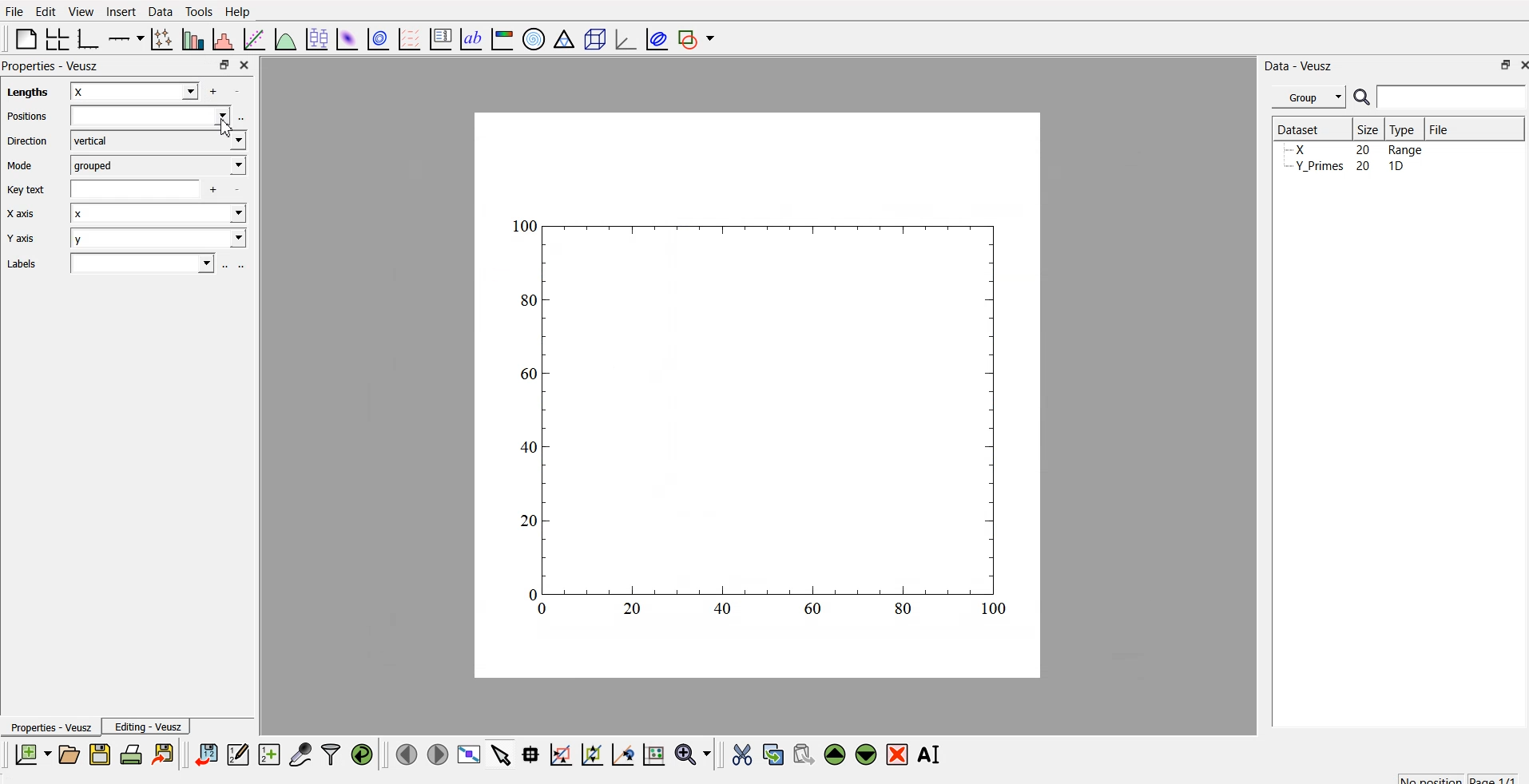 The image size is (1529, 784). Describe the element at coordinates (220, 65) in the screenshot. I see `maximize` at that location.